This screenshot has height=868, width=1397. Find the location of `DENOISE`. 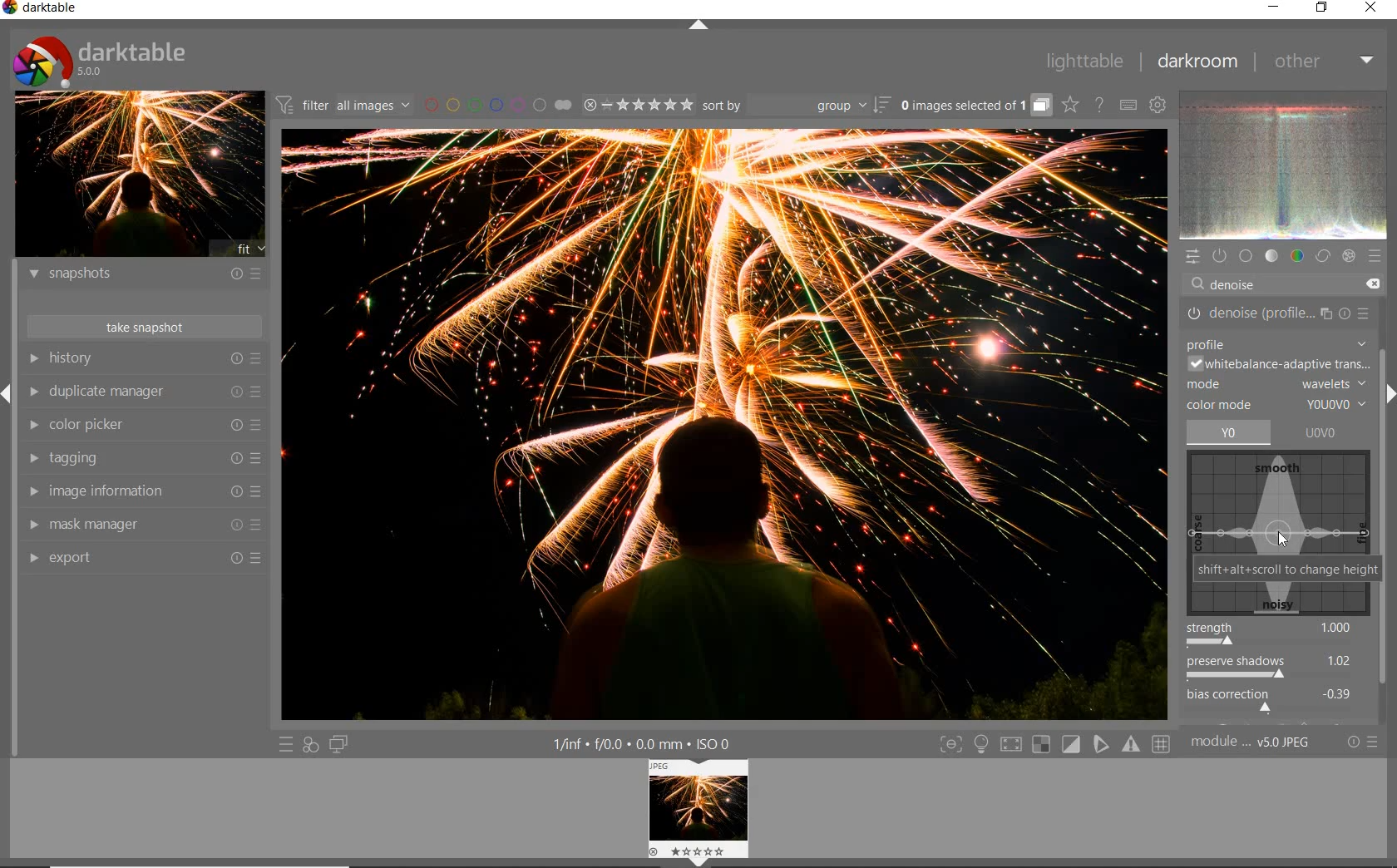

DENOISE is located at coordinates (1279, 313).